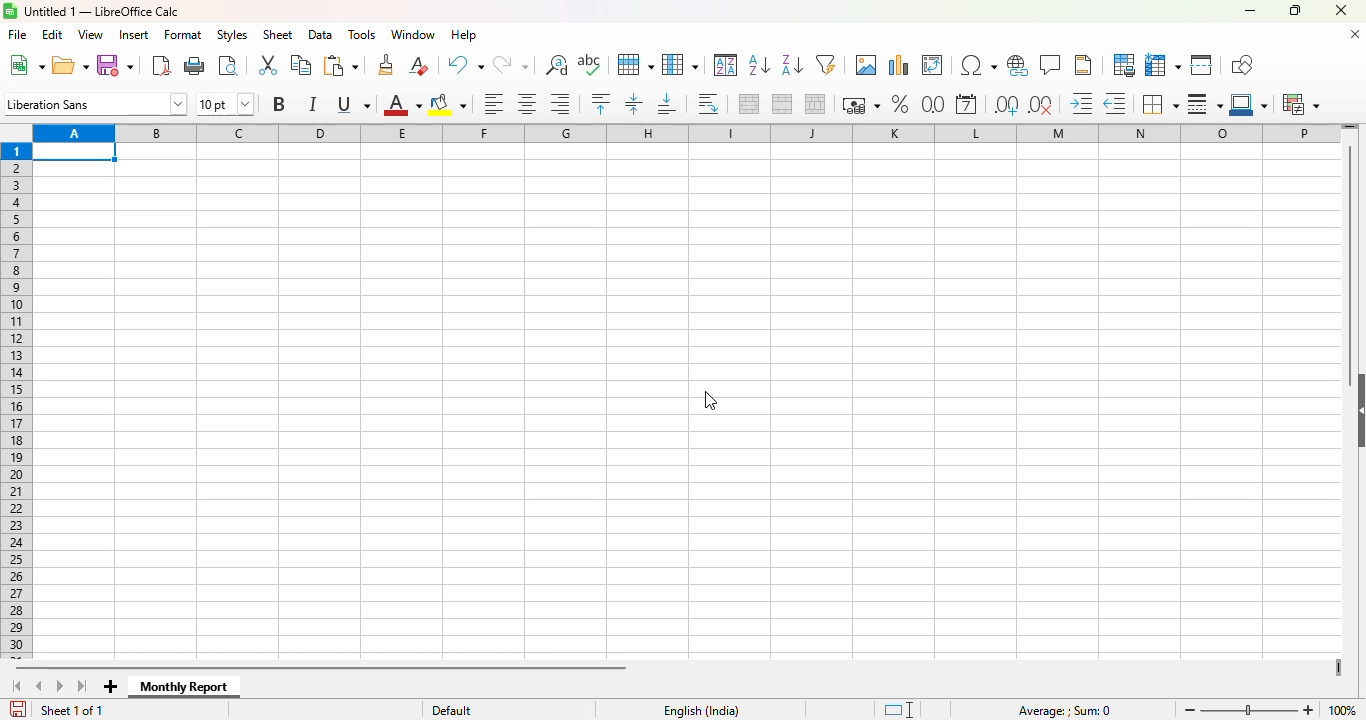 The image size is (1366, 720). What do you see at coordinates (1123, 64) in the screenshot?
I see `define print area` at bounding box center [1123, 64].